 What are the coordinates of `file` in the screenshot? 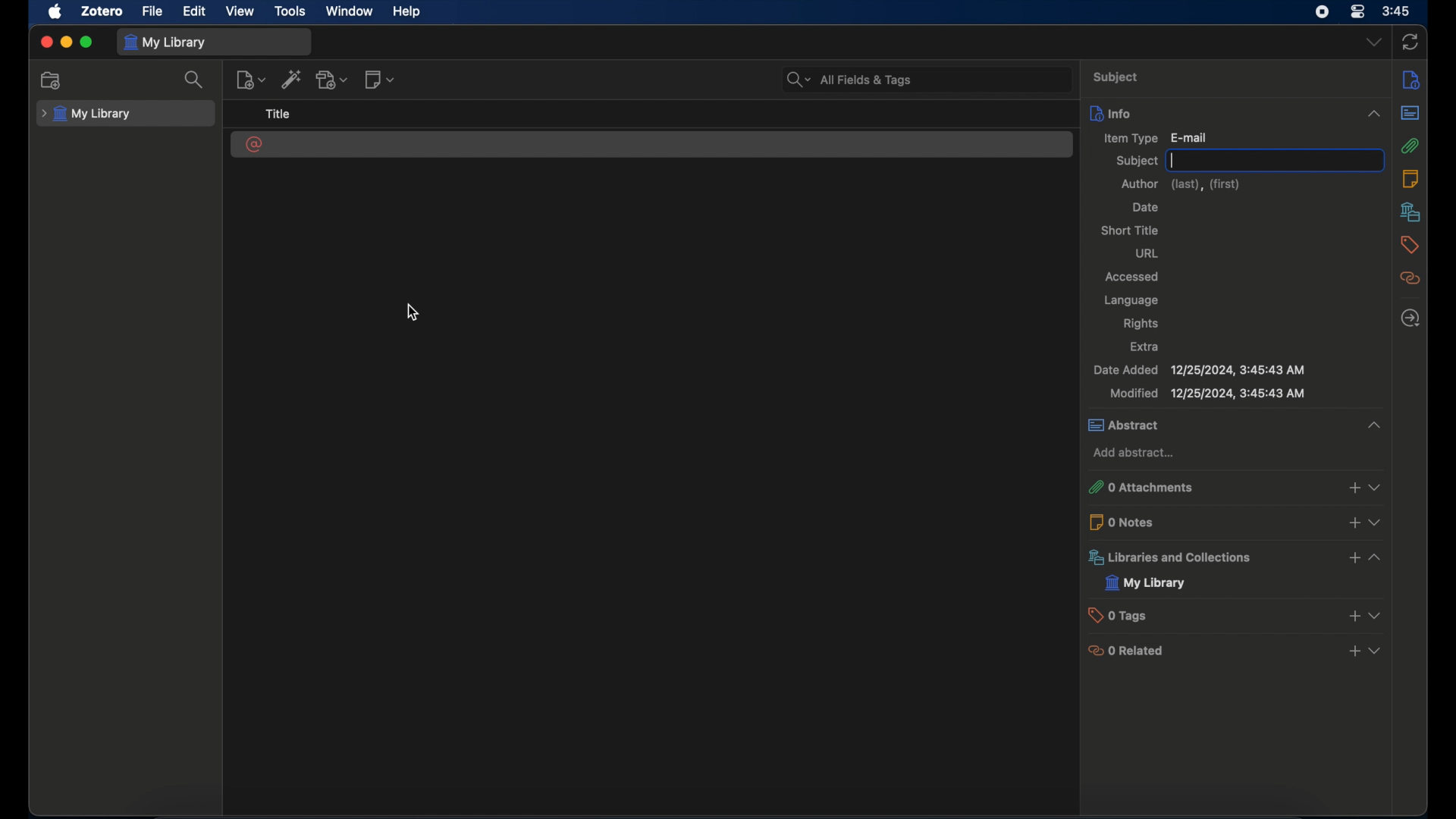 It's located at (153, 12).